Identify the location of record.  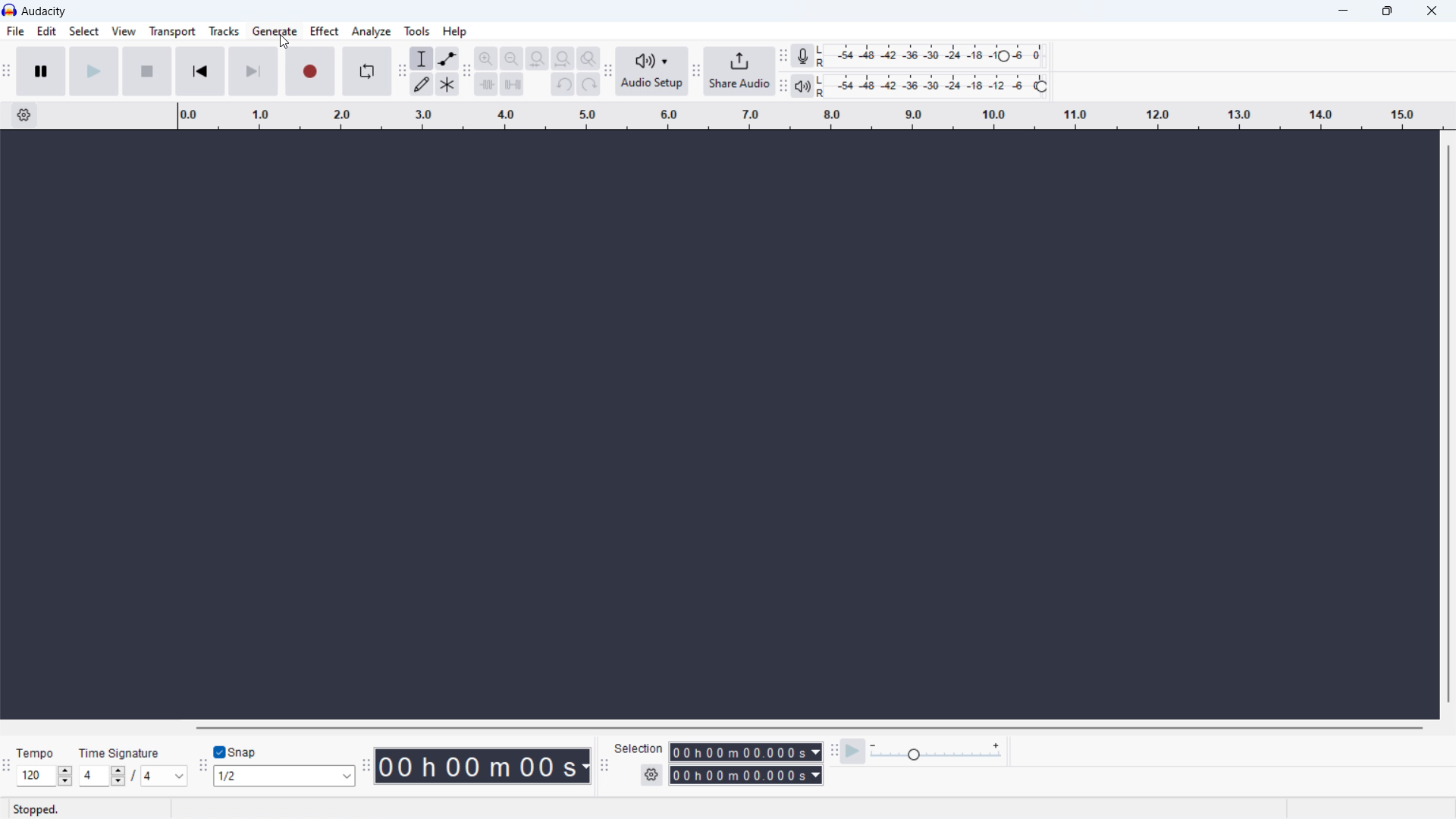
(310, 71).